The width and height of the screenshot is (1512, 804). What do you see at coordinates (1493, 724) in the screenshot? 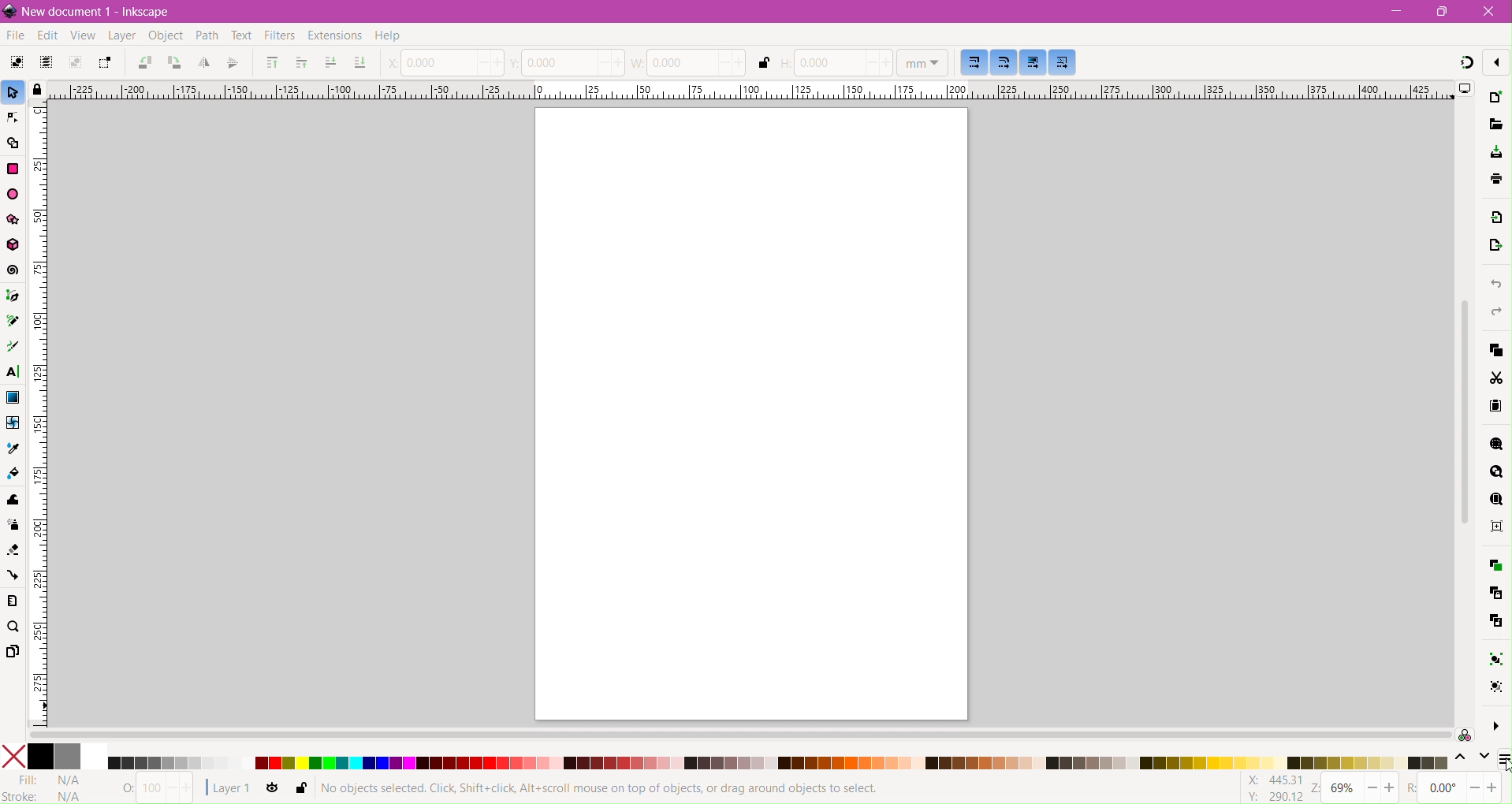
I see `More Options` at bounding box center [1493, 724].